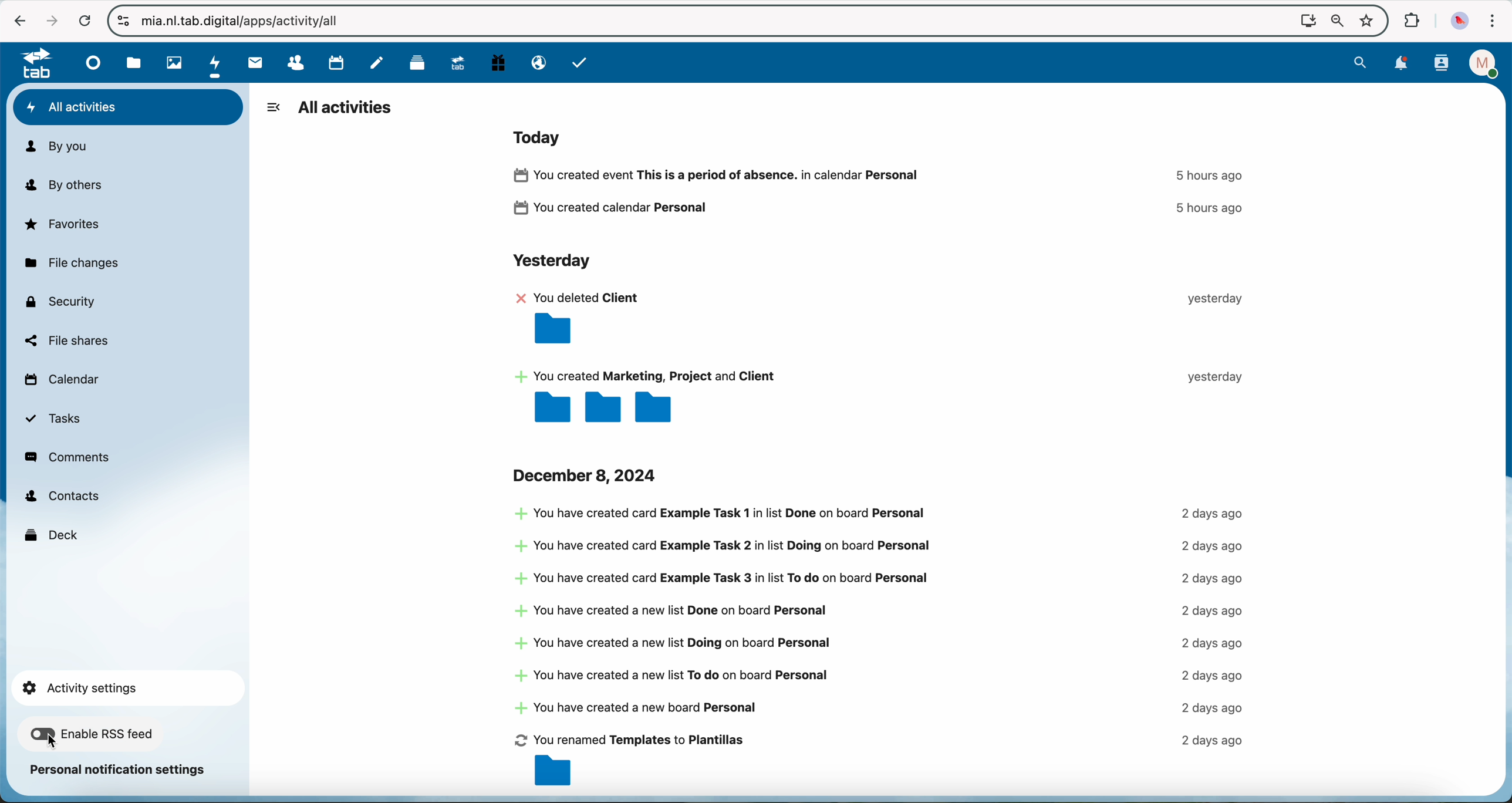 The width and height of the screenshot is (1512, 803). What do you see at coordinates (129, 107) in the screenshot?
I see `all activities` at bounding box center [129, 107].